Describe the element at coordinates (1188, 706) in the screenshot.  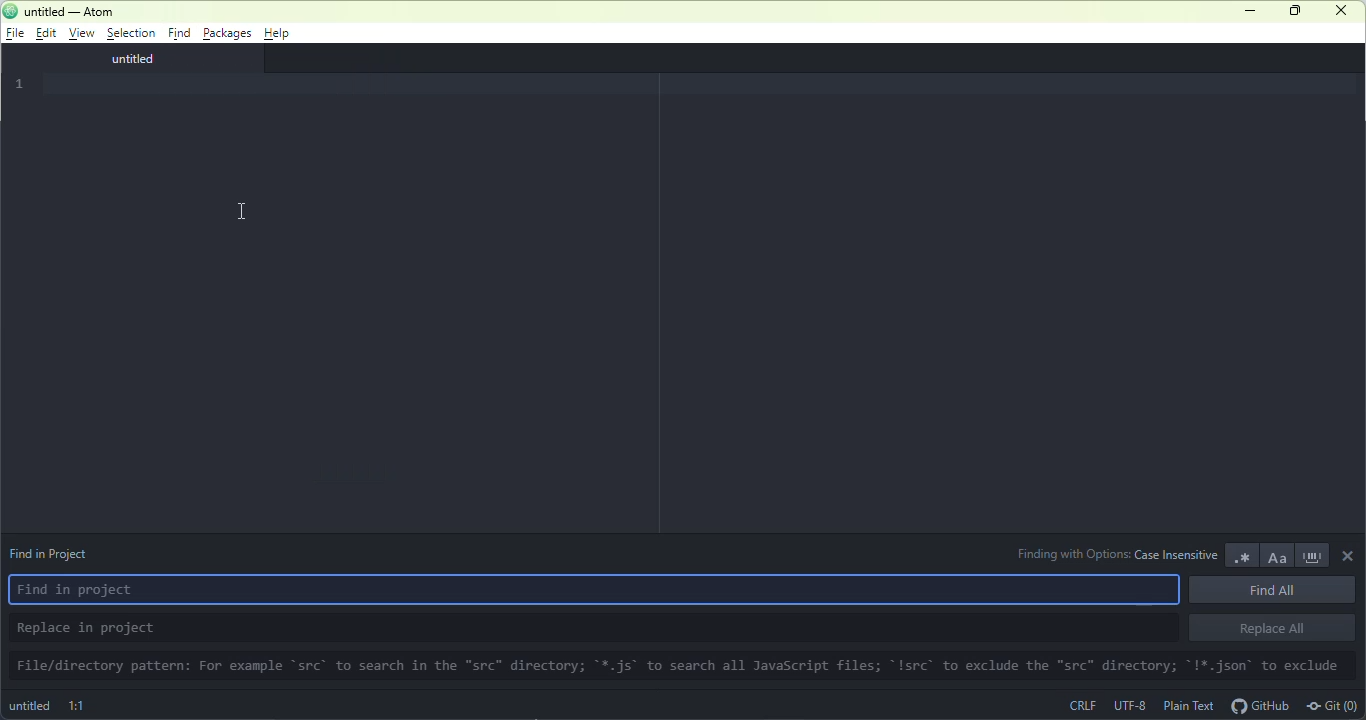
I see `plain text` at that location.